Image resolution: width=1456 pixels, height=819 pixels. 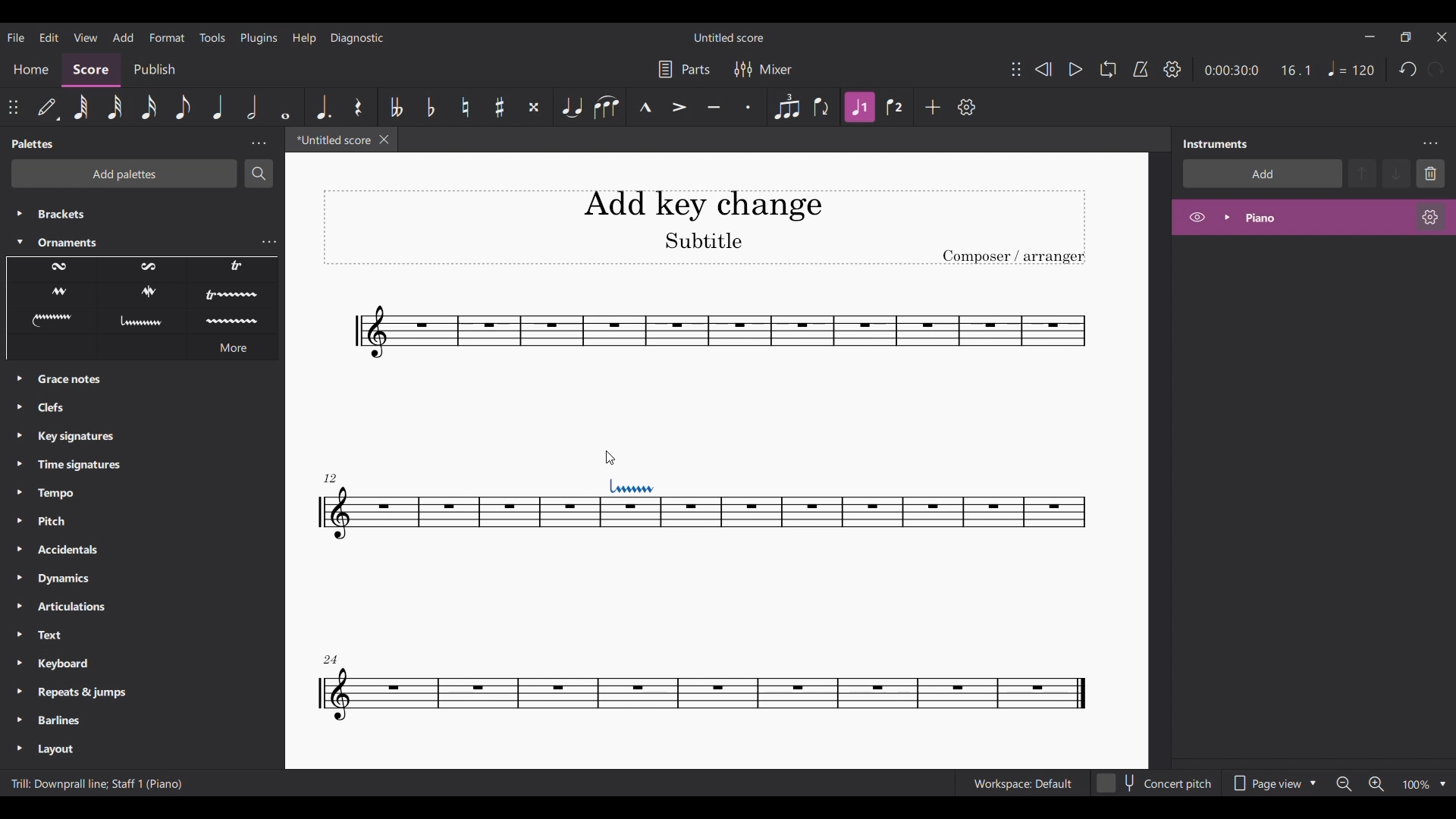 What do you see at coordinates (630, 503) in the screenshot?
I see `Ornament added to selected note` at bounding box center [630, 503].